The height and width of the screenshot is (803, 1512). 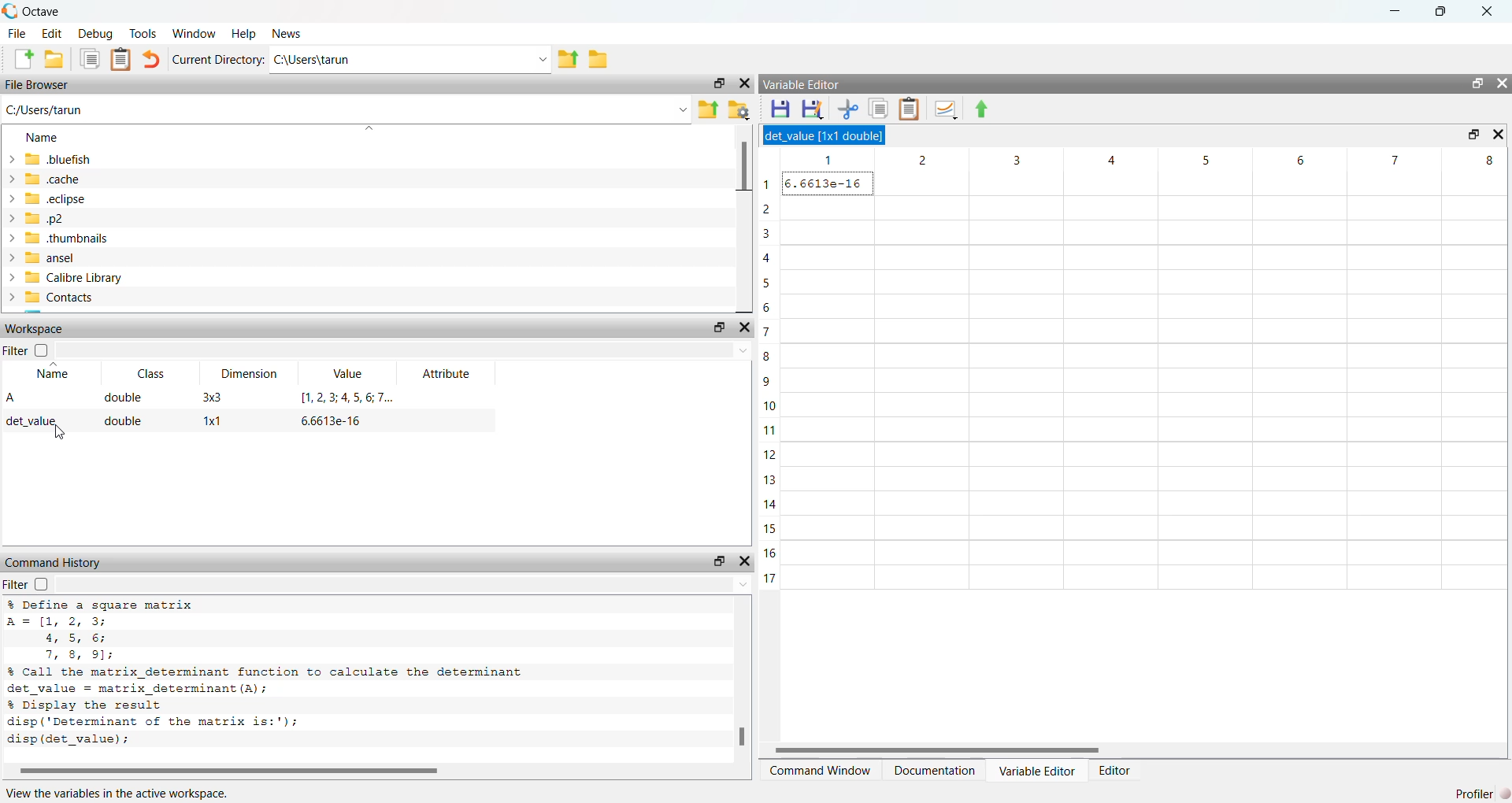 I want to click on maximize, so click(x=1471, y=135).